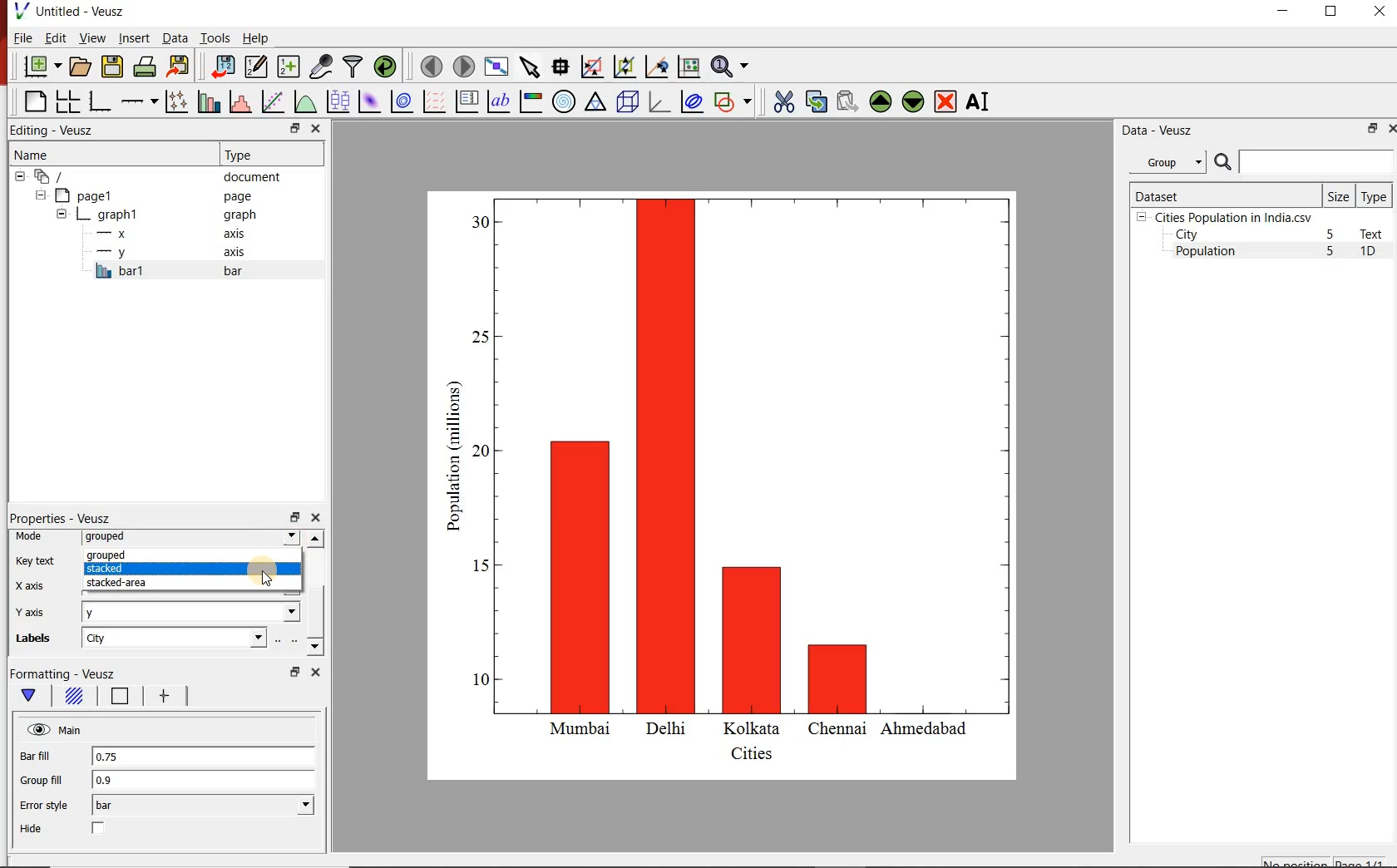 The image size is (1397, 868). What do you see at coordinates (400, 101) in the screenshot?
I see `plot a 2d dataset as contours` at bounding box center [400, 101].